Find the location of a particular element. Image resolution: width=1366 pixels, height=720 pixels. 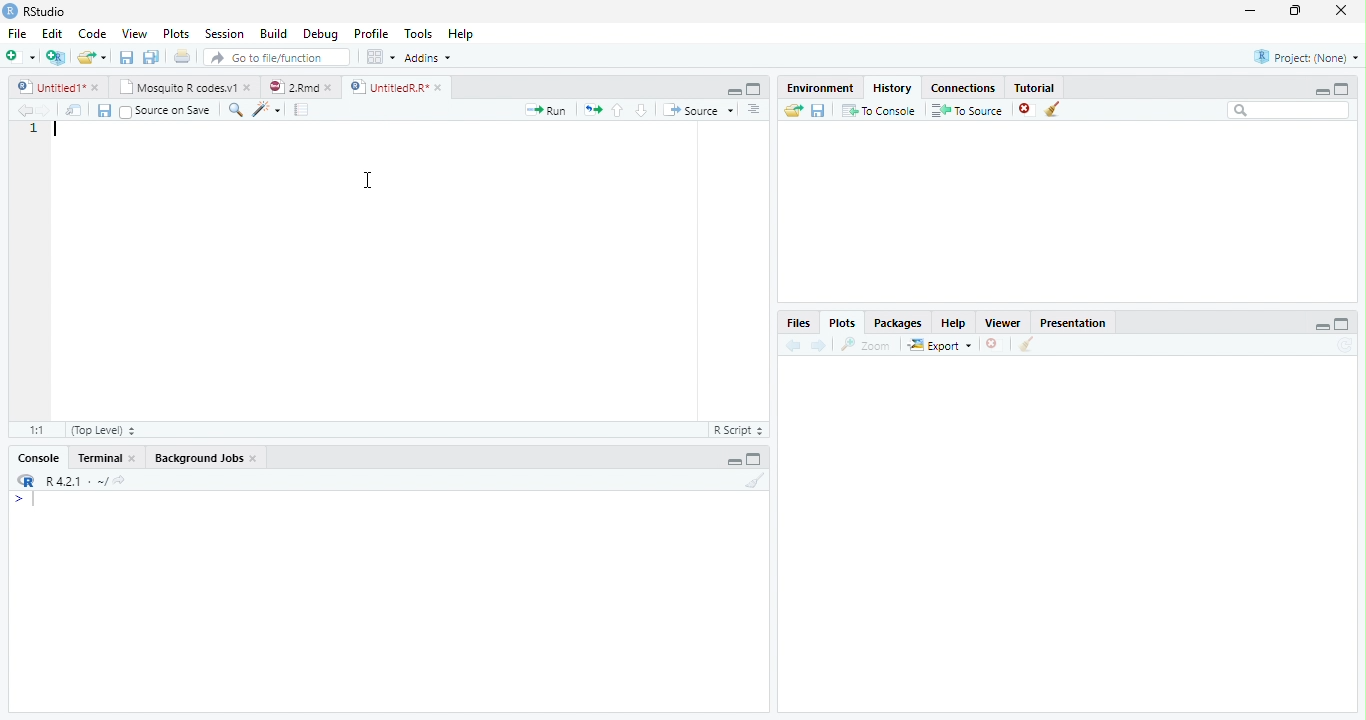

> is located at coordinates (24, 500).